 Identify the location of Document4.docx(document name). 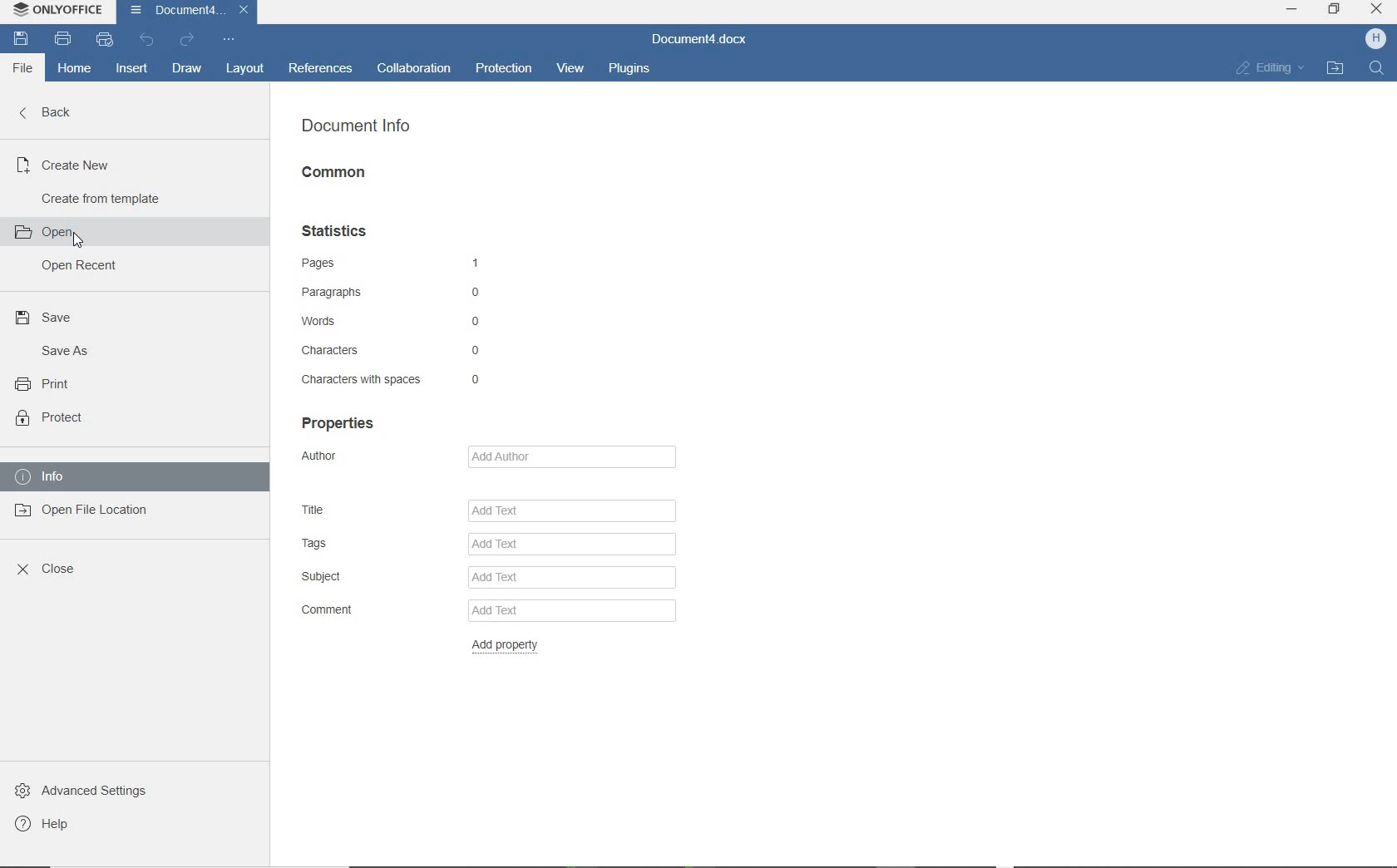
(703, 40).